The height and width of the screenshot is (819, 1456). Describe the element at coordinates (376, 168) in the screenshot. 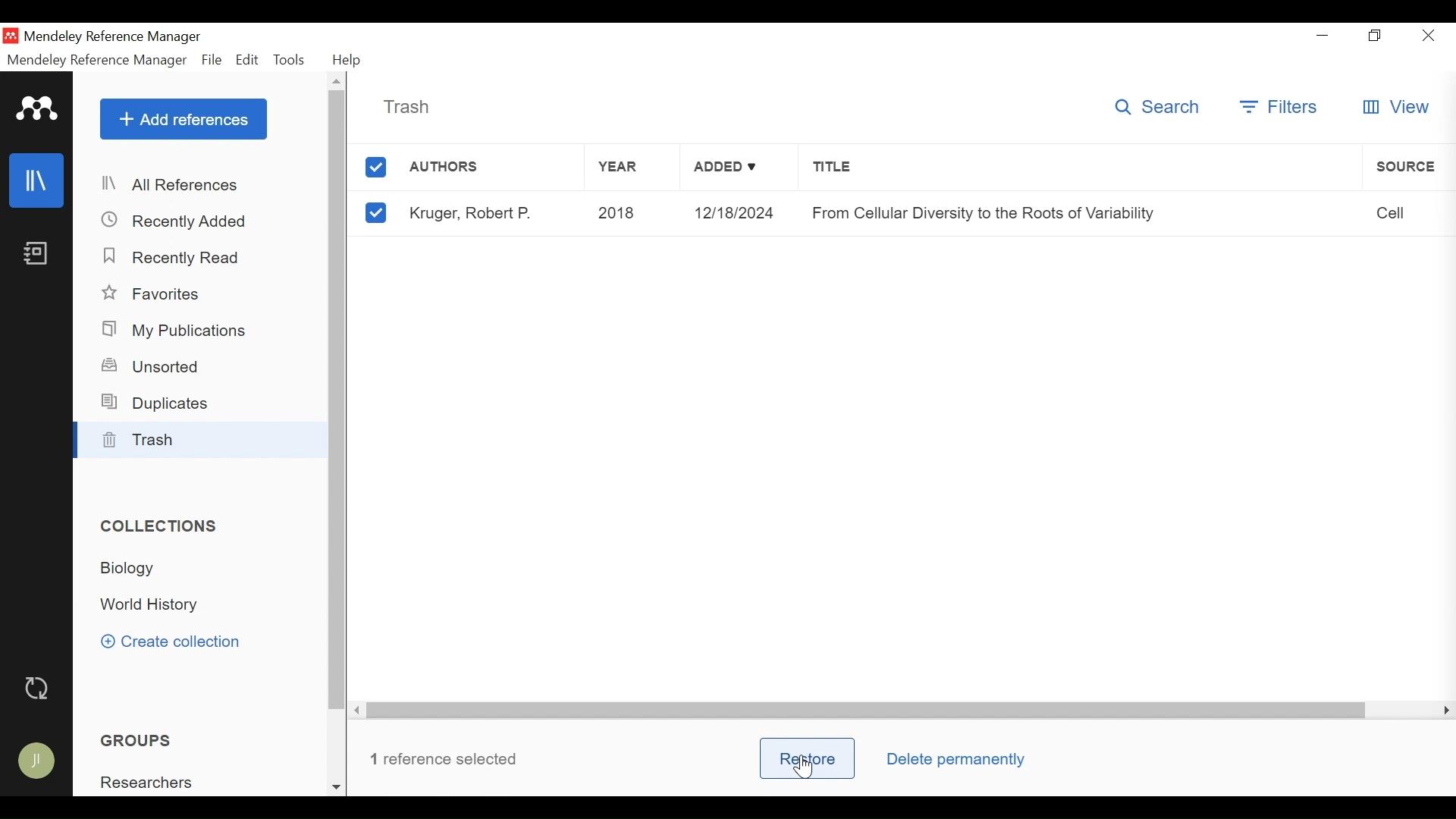

I see `(un)select all` at that location.